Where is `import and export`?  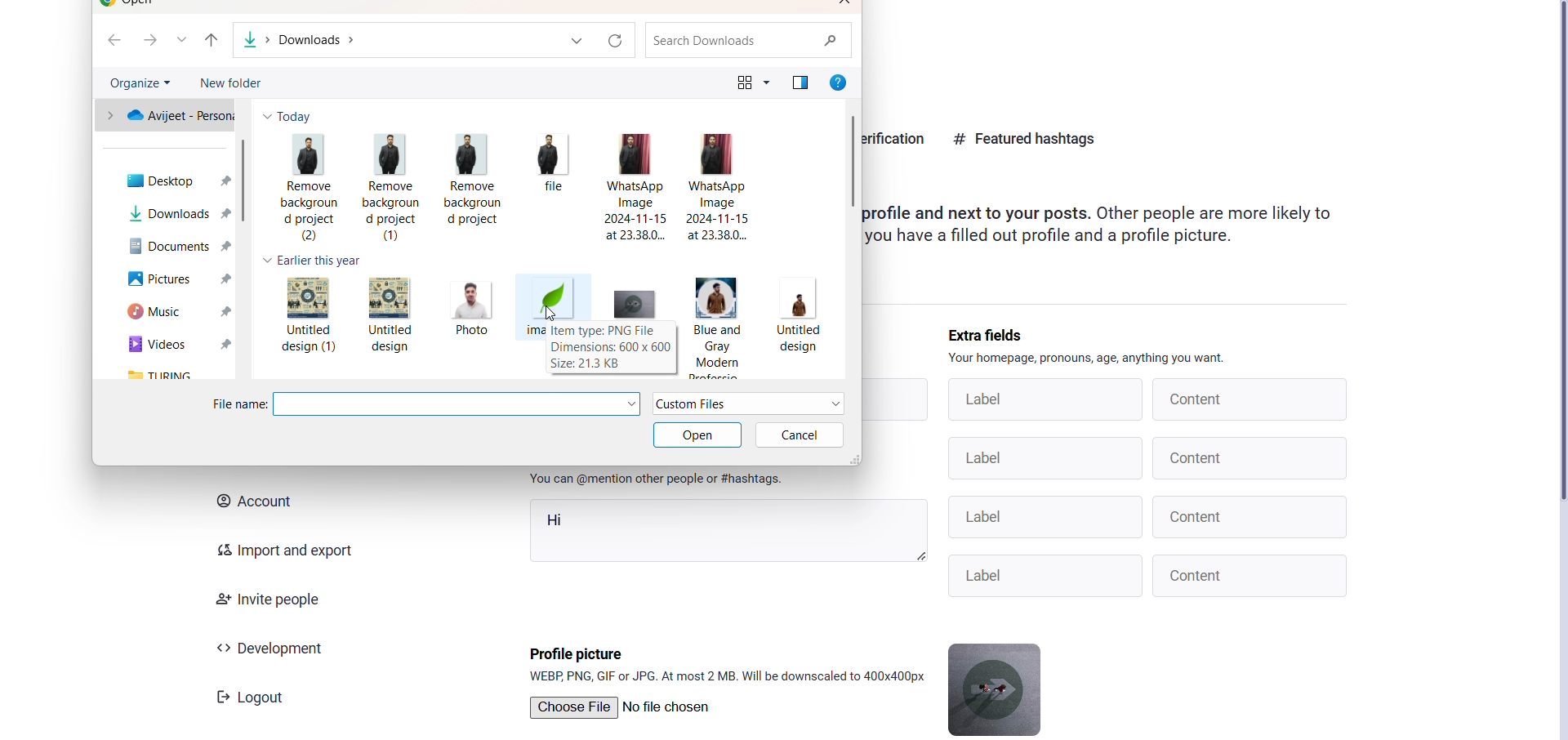 import and export is located at coordinates (276, 550).